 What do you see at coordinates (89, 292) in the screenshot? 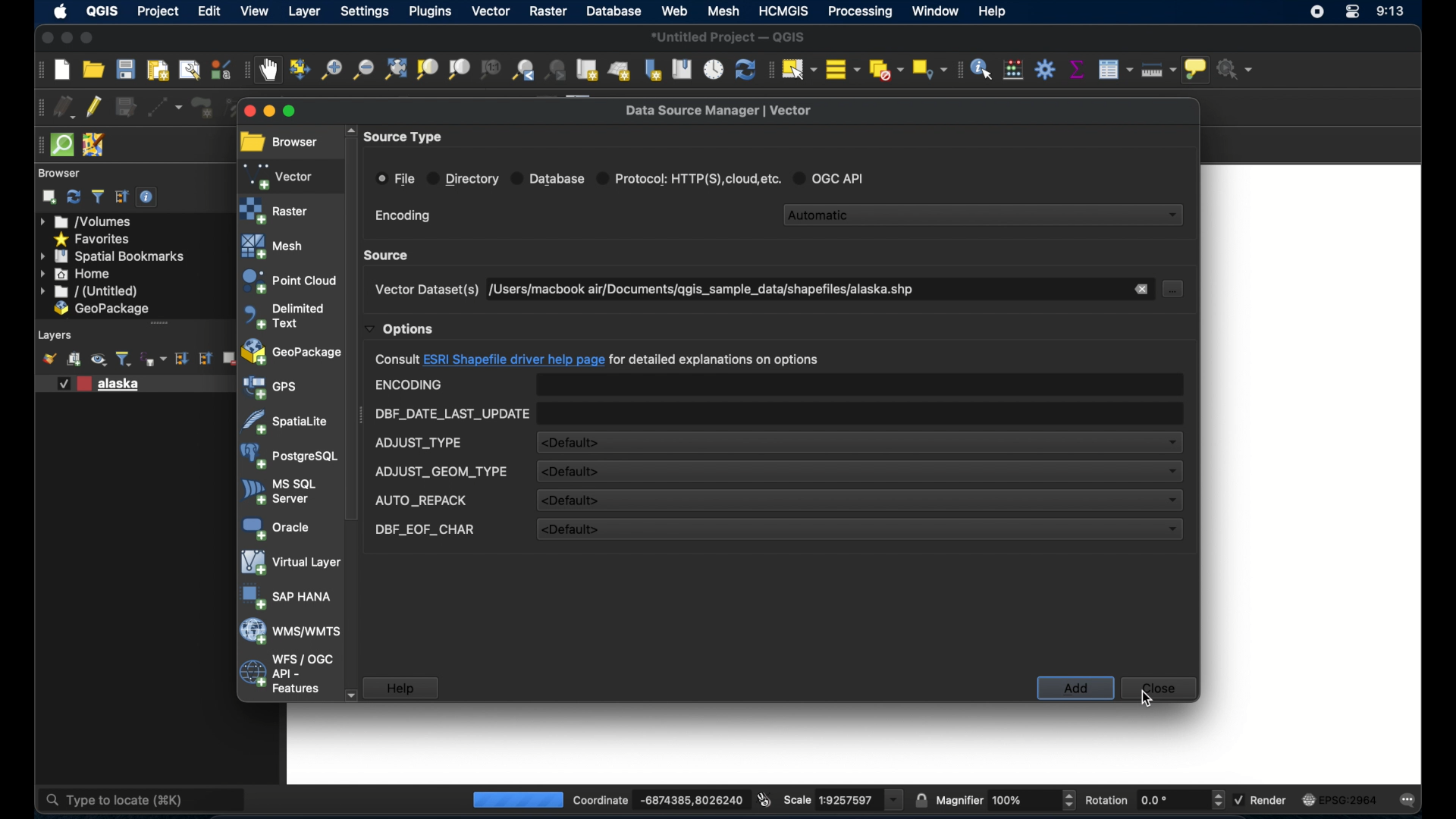
I see `untitled` at bounding box center [89, 292].